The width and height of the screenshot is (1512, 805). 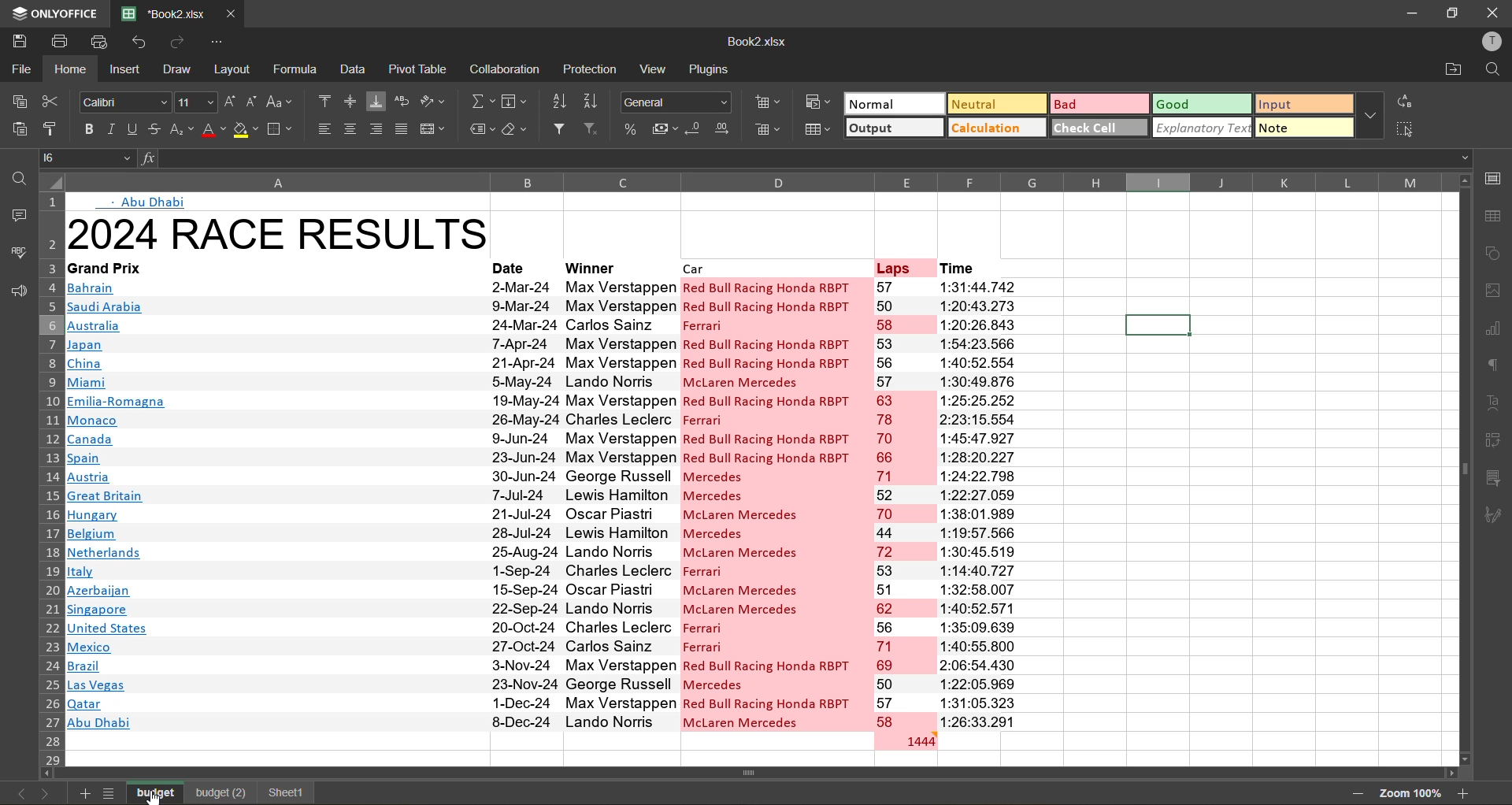 I want to click on accounting, so click(x=666, y=129).